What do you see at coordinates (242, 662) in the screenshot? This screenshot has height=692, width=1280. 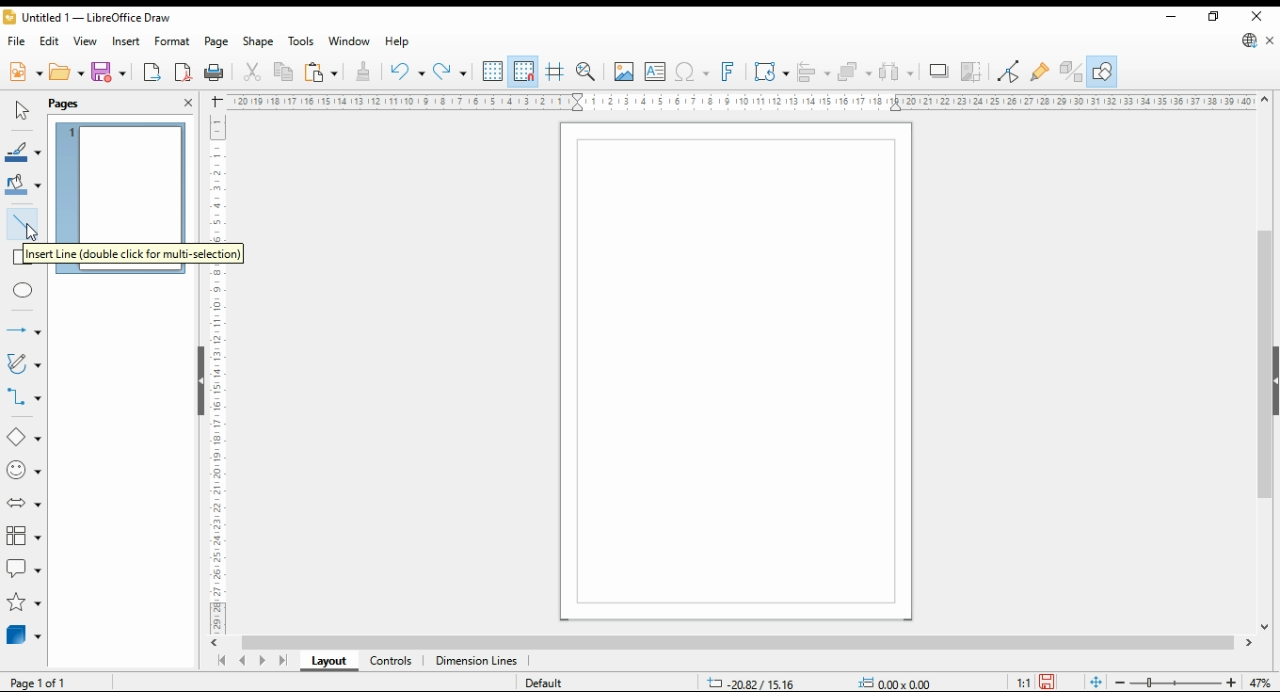 I see `previous page` at bounding box center [242, 662].